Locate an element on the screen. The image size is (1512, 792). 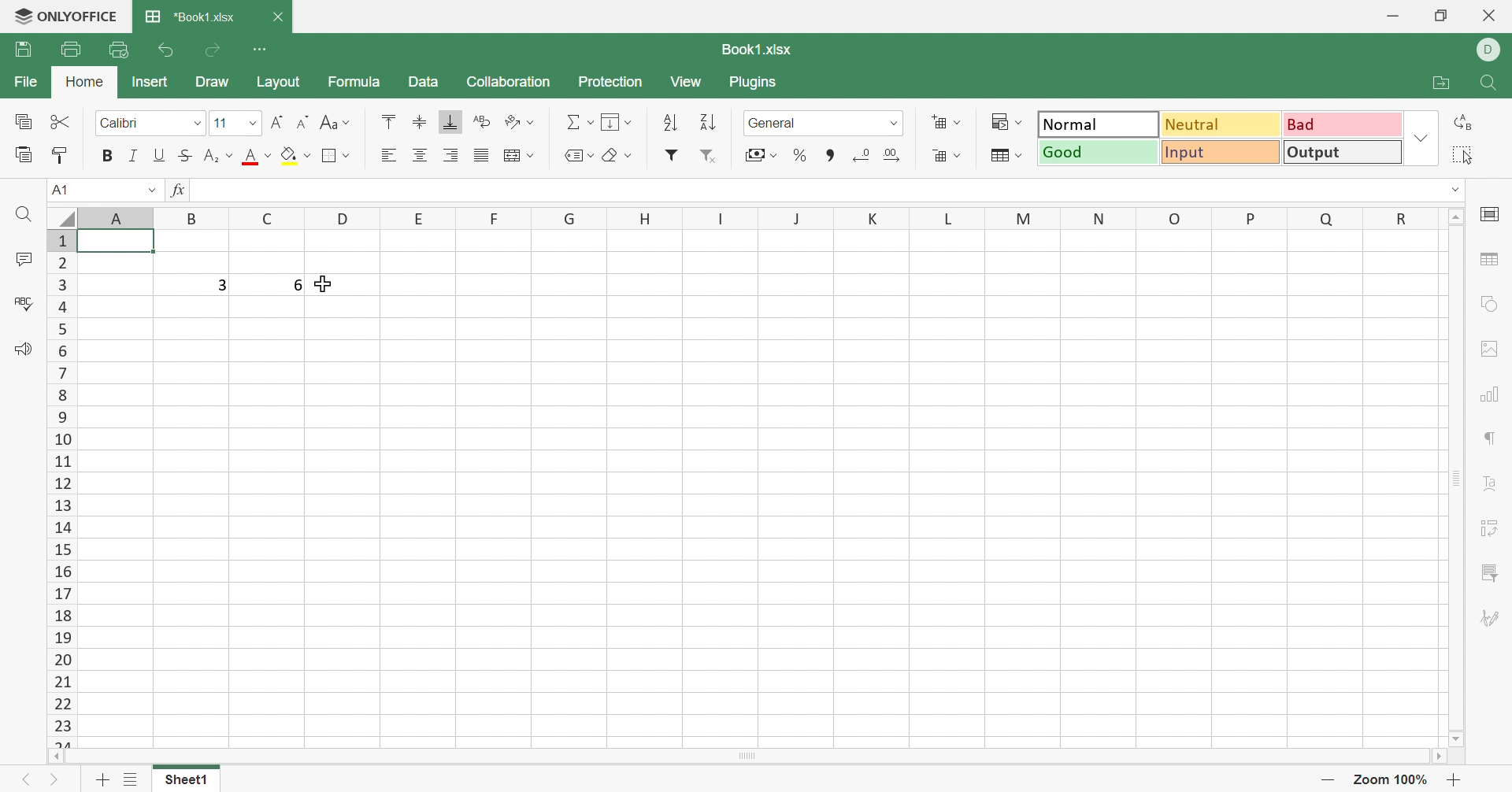
Paste is located at coordinates (24, 157).